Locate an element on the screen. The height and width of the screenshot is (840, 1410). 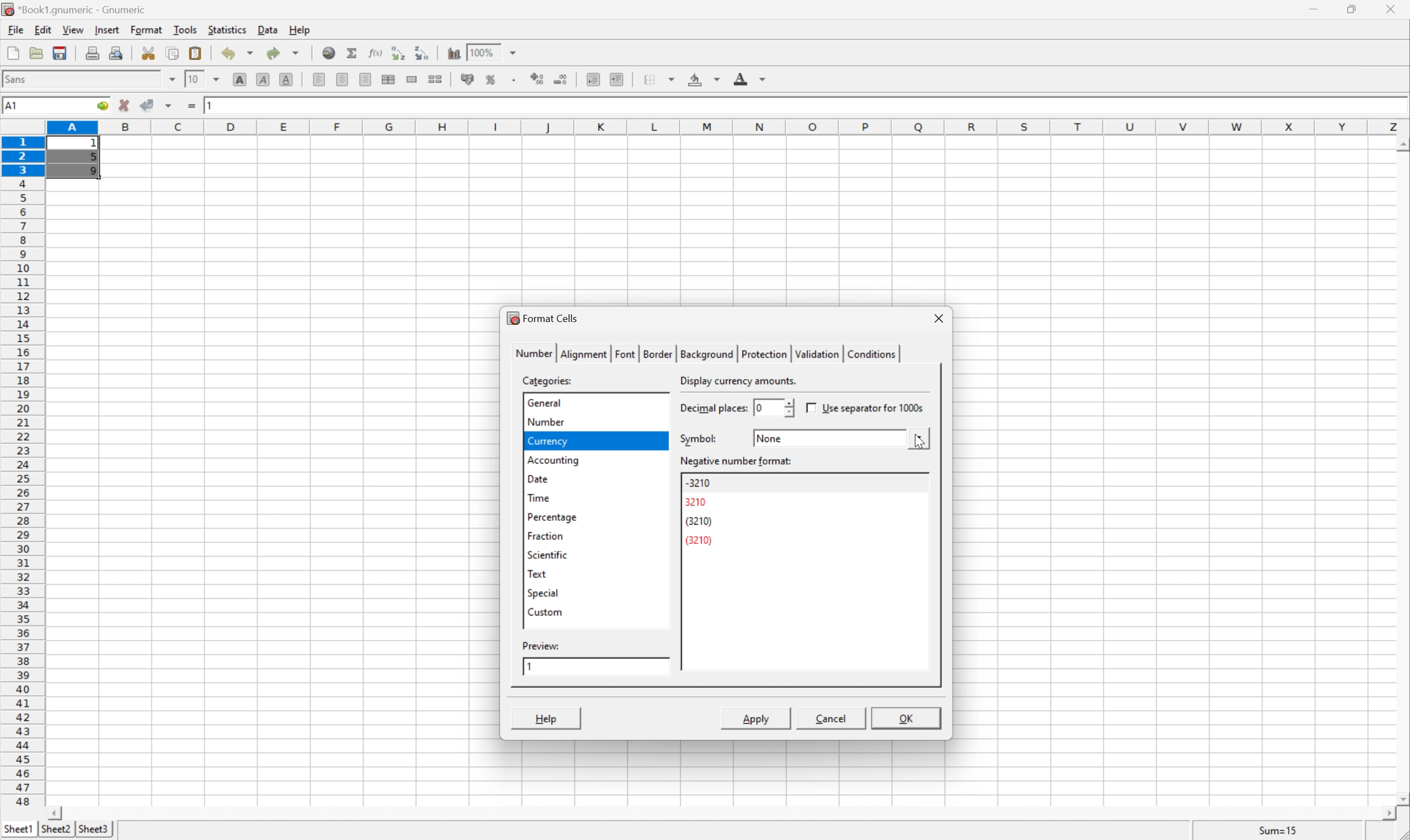
fraction is located at coordinates (545, 535).